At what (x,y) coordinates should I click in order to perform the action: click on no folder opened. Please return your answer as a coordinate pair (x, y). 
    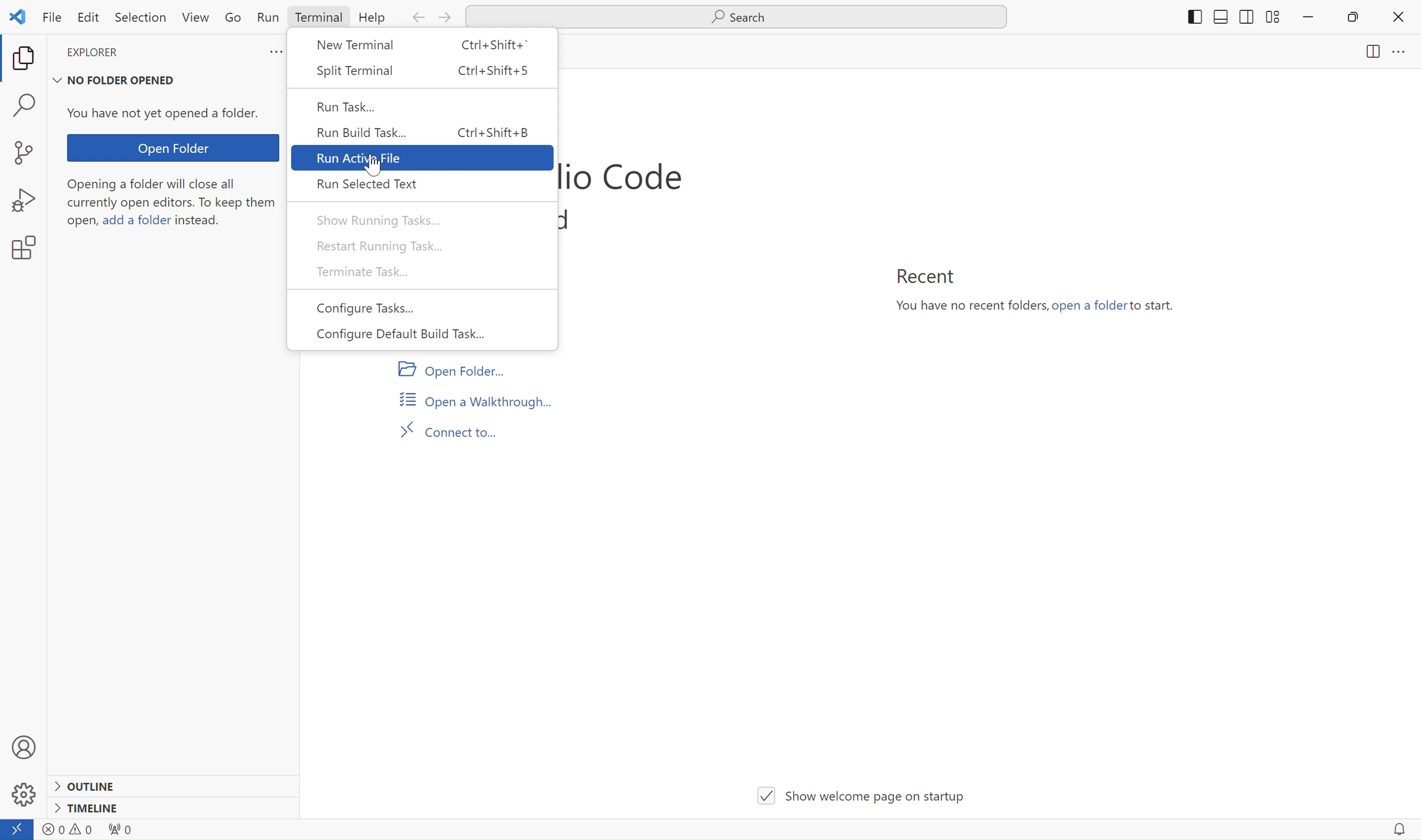
    Looking at the image, I should click on (118, 78).